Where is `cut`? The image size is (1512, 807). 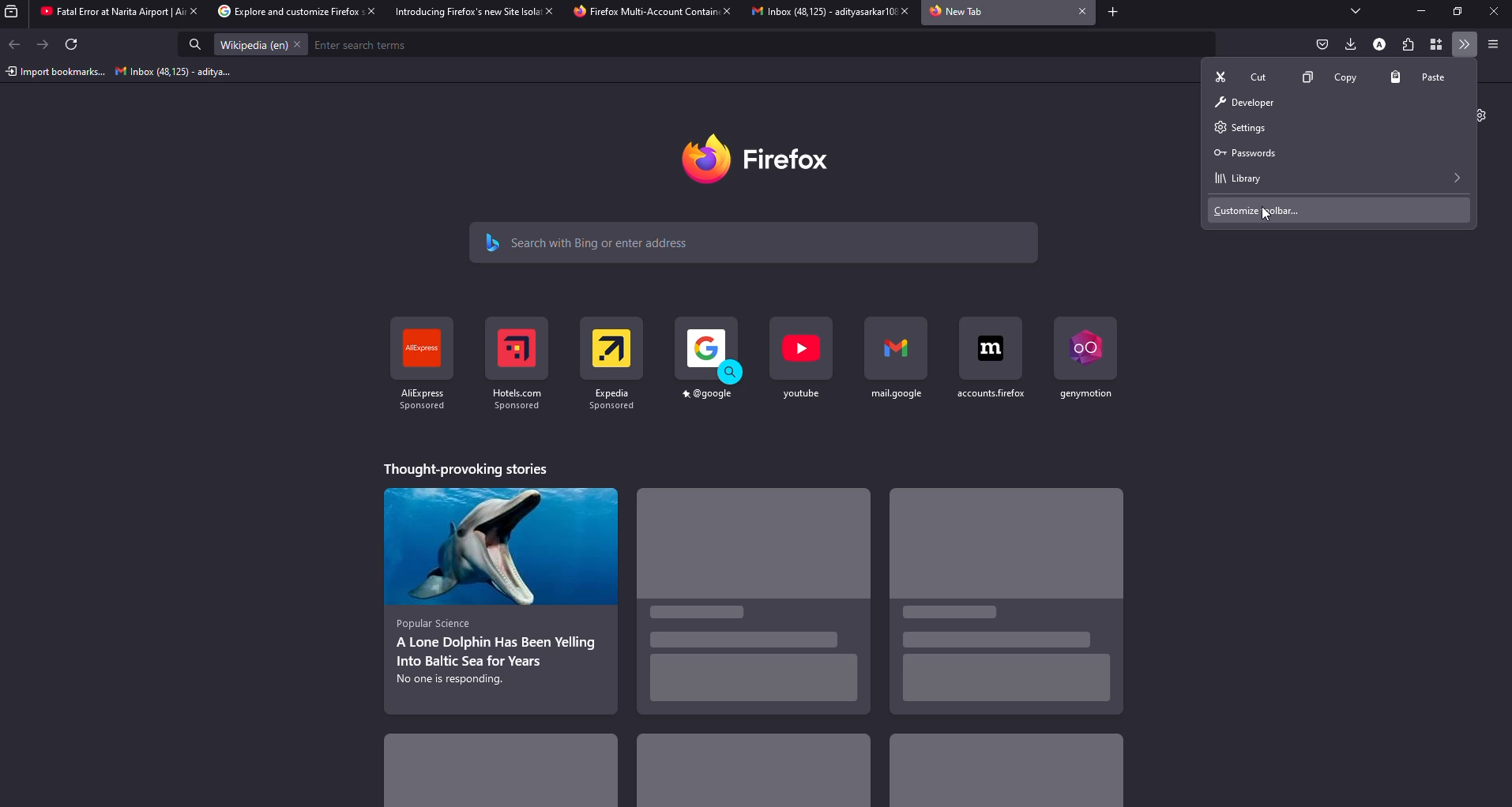
cut is located at coordinates (1245, 77).